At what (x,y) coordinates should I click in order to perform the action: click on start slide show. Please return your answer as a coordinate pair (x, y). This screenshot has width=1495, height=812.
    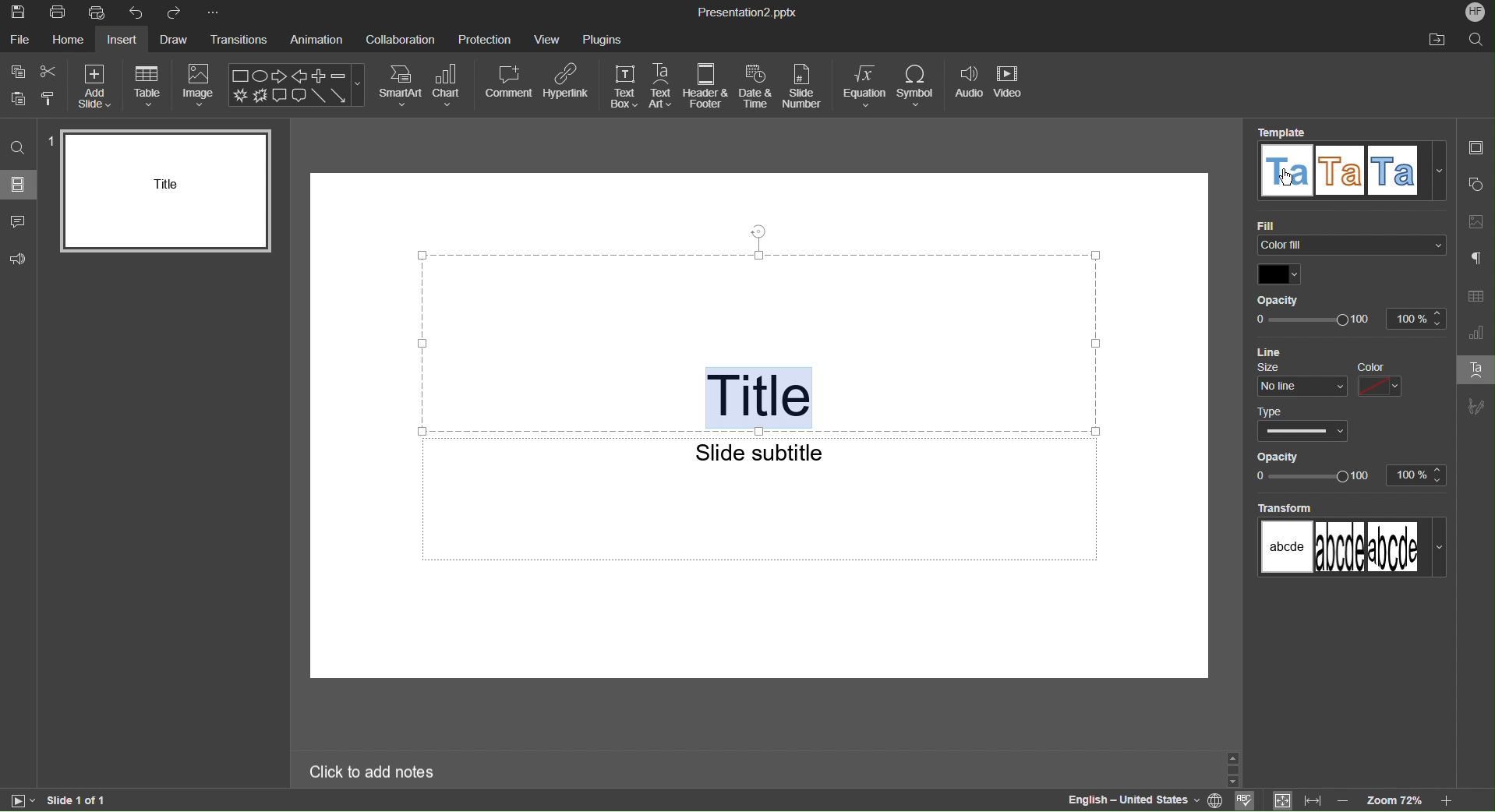
    Looking at the image, I should click on (23, 801).